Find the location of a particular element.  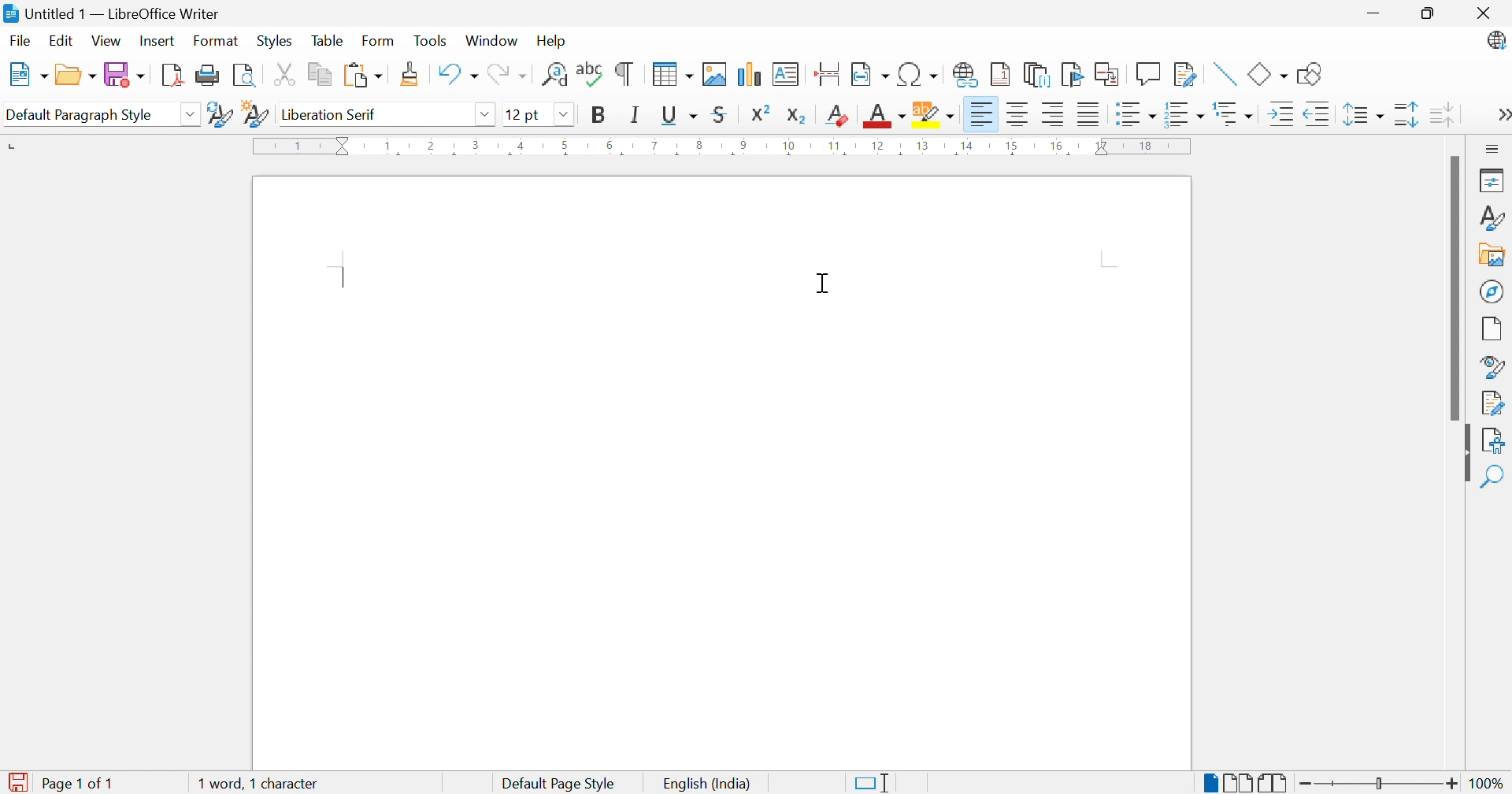

Ruler is located at coordinates (725, 148).